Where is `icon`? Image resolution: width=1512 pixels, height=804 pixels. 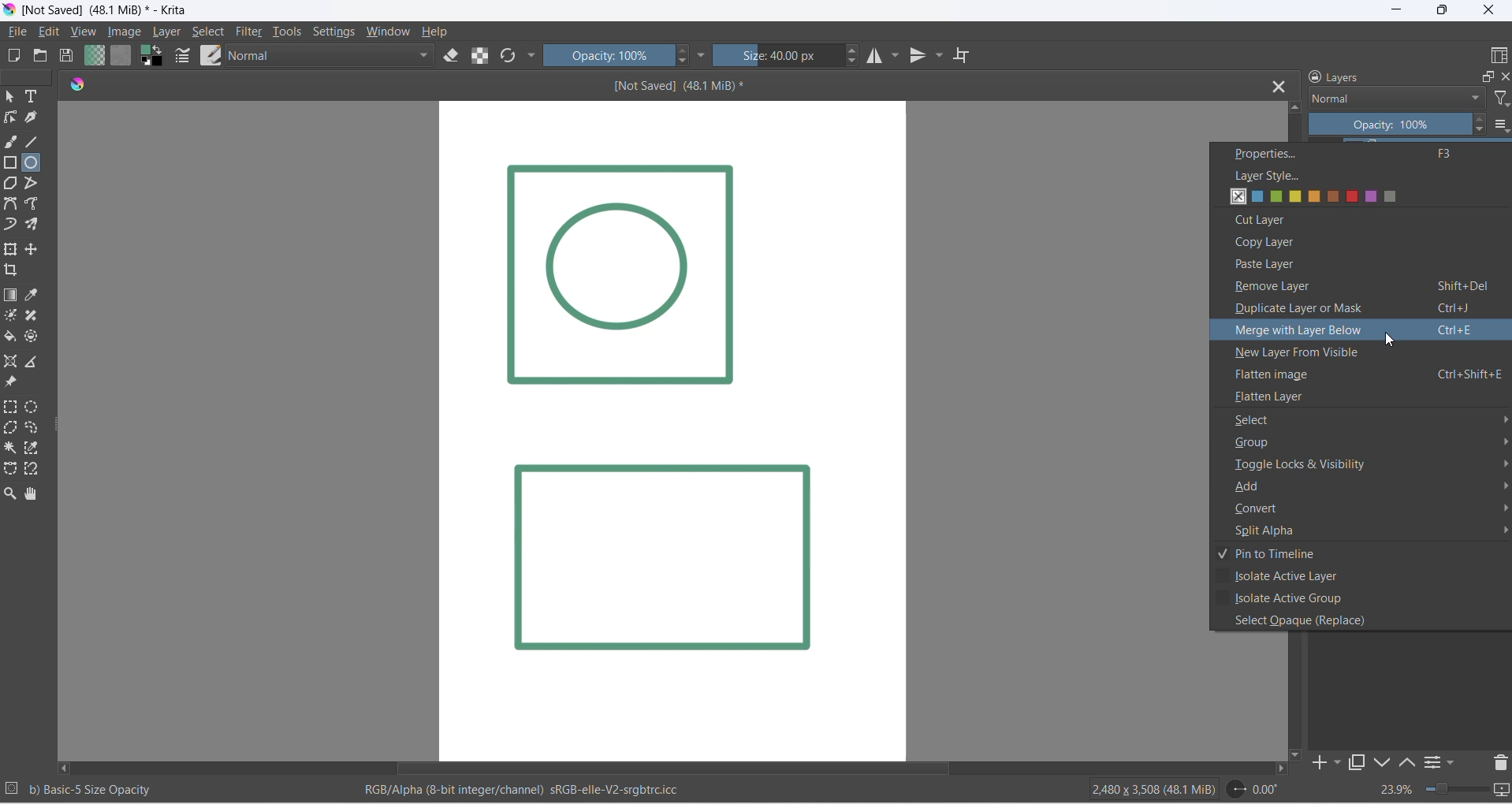 icon is located at coordinates (72, 87).